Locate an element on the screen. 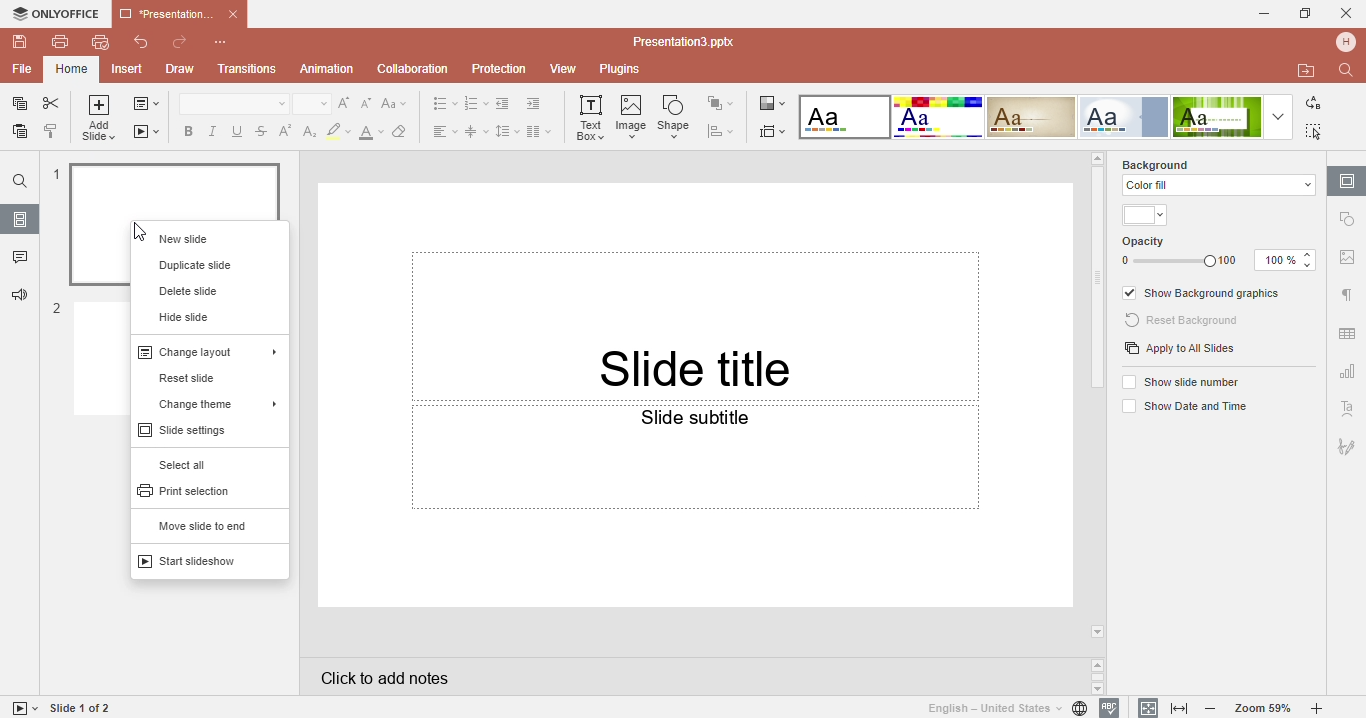  Save is located at coordinates (17, 42).